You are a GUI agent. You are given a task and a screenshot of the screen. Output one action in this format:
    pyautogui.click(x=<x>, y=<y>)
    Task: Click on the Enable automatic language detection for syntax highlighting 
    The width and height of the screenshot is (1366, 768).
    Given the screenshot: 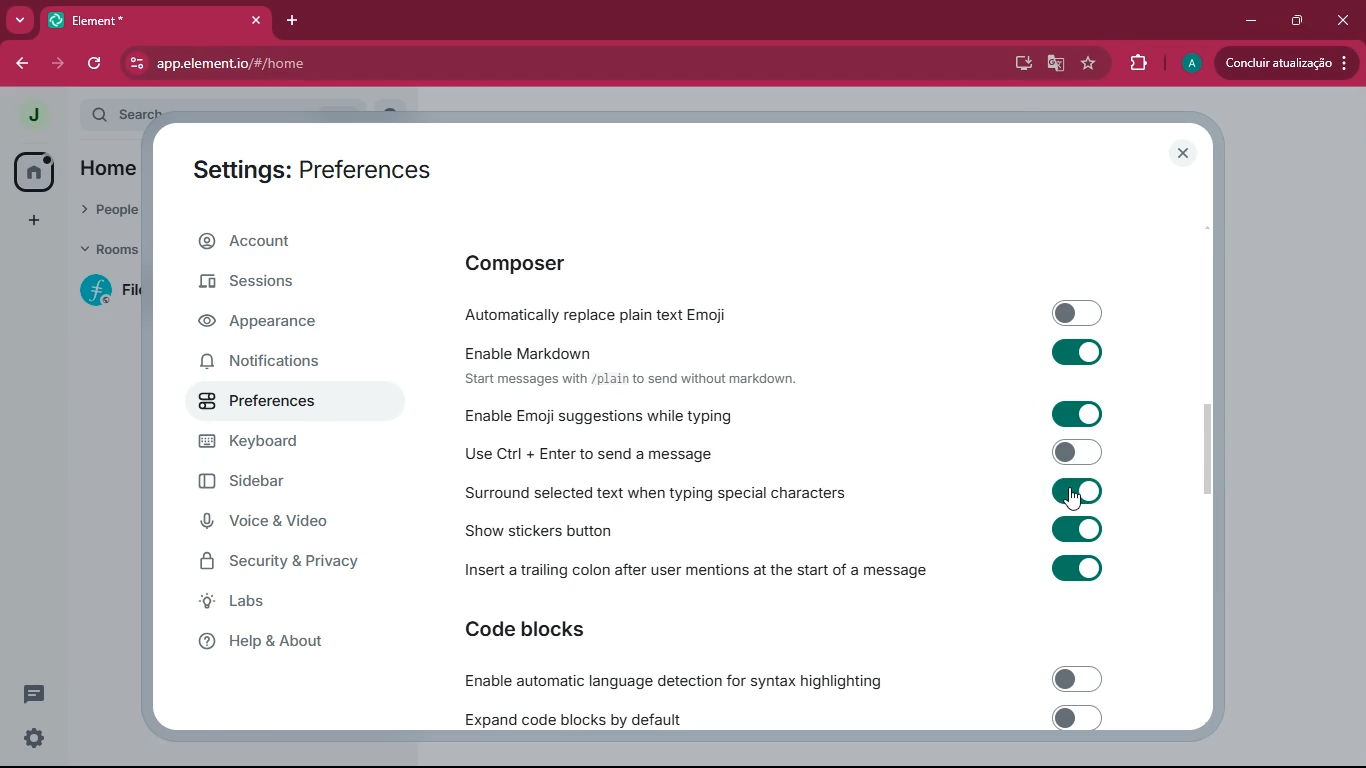 What is the action you would take?
    pyautogui.click(x=775, y=679)
    